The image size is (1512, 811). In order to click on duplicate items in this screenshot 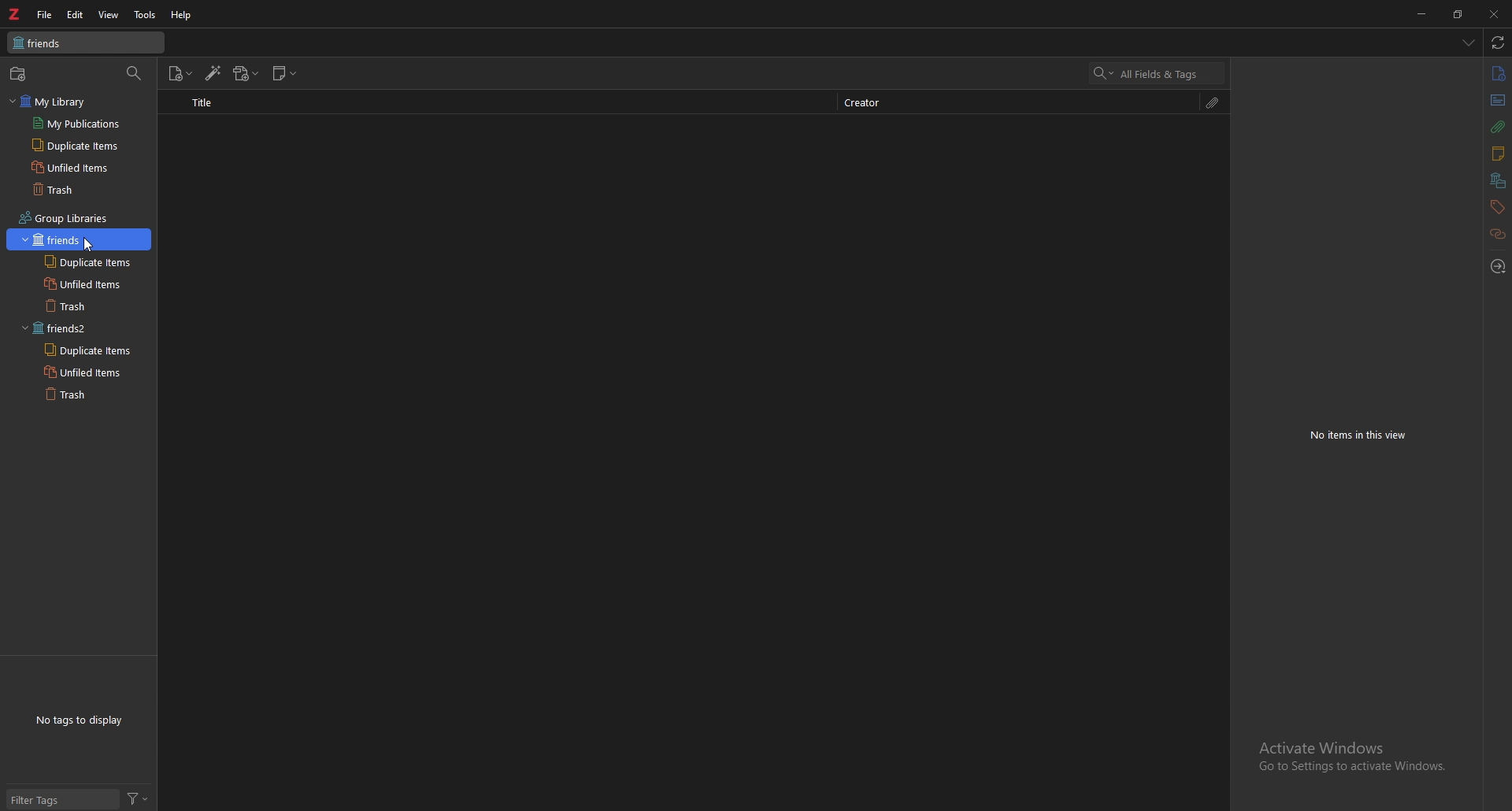, I will do `click(86, 351)`.